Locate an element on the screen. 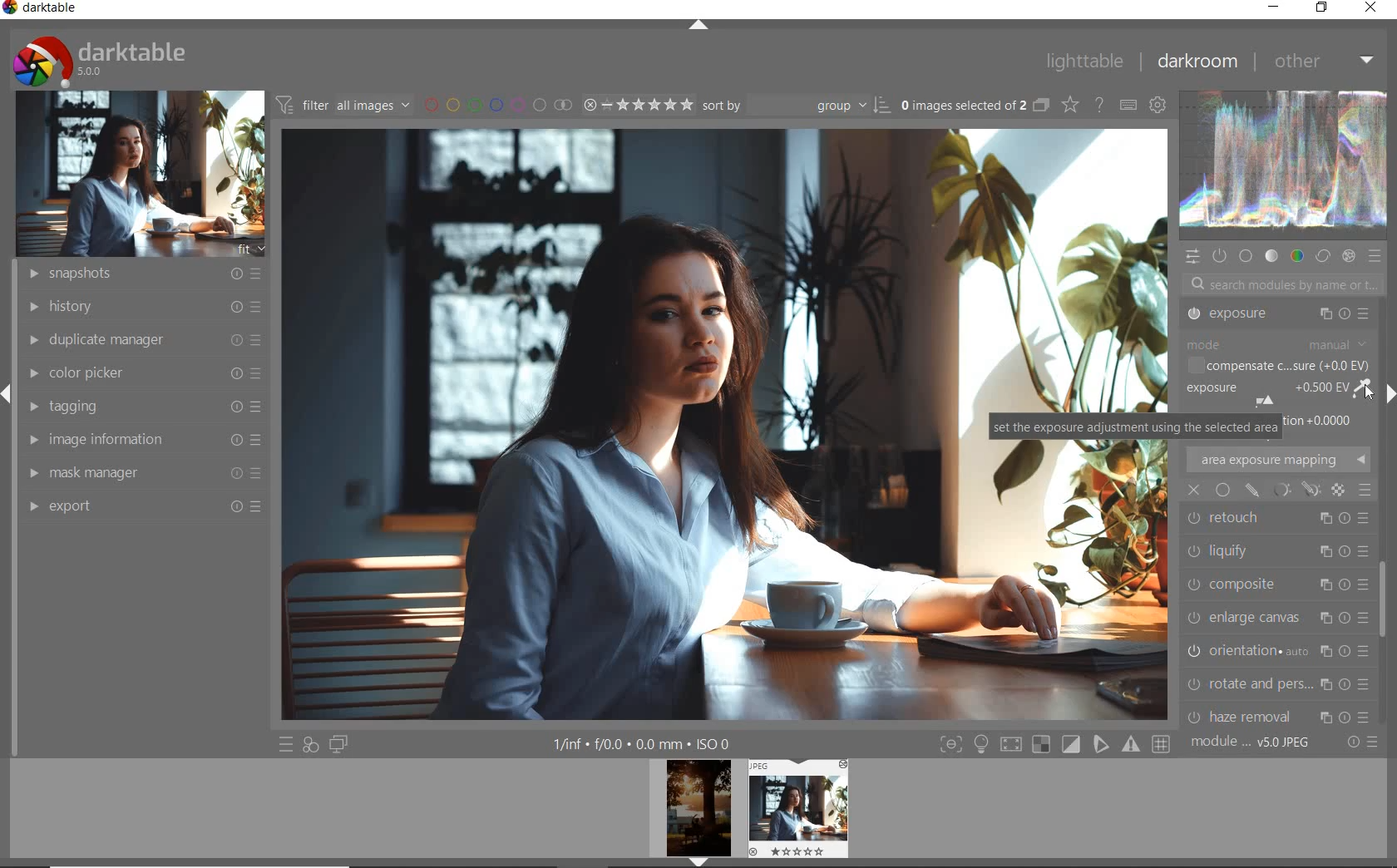 The width and height of the screenshot is (1397, 868). LENS CORRECTION is located at coordinates (1278, 679).